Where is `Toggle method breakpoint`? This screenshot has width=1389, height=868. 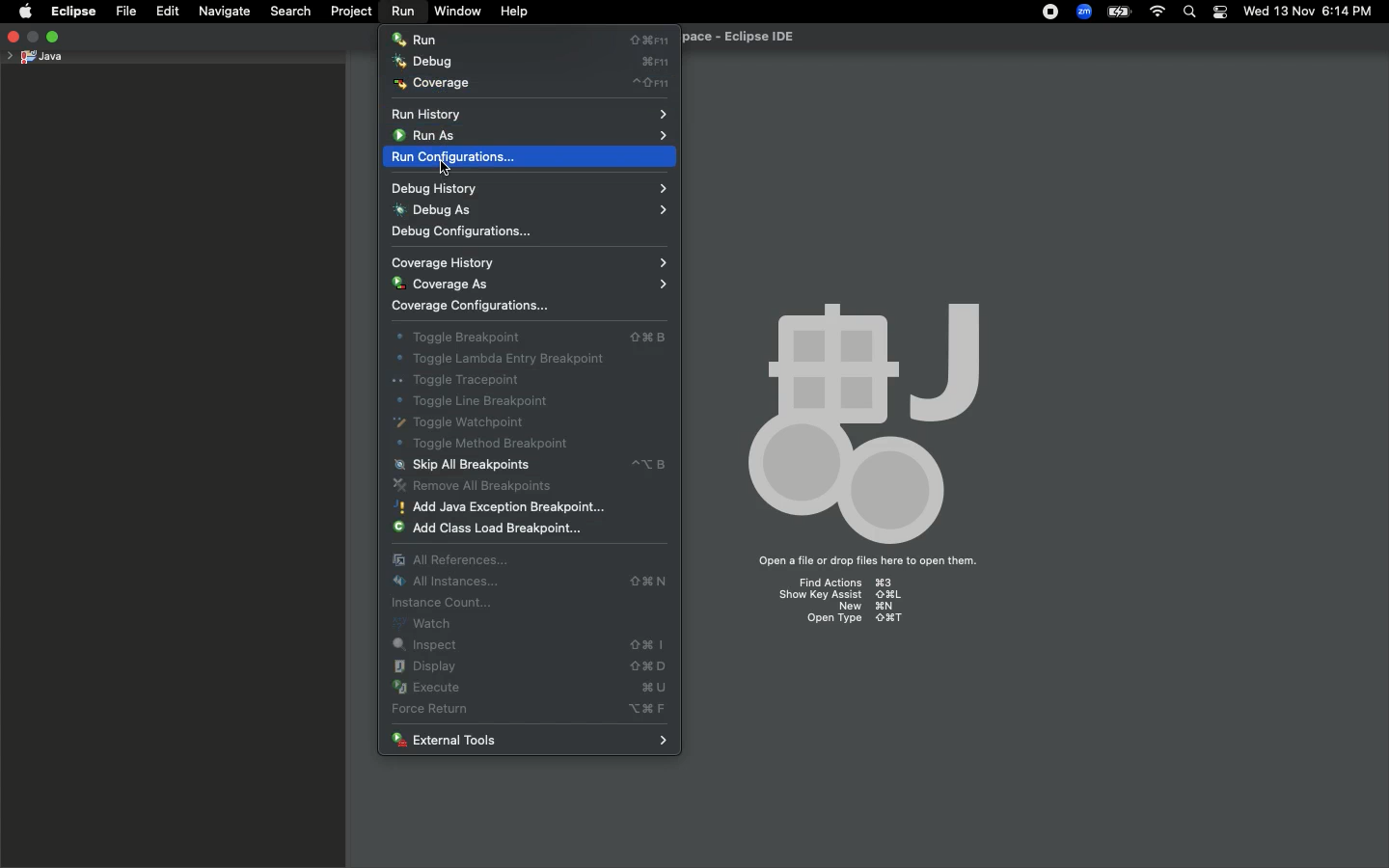 Toggle method breakpoint is located at coordinates (486, 444).